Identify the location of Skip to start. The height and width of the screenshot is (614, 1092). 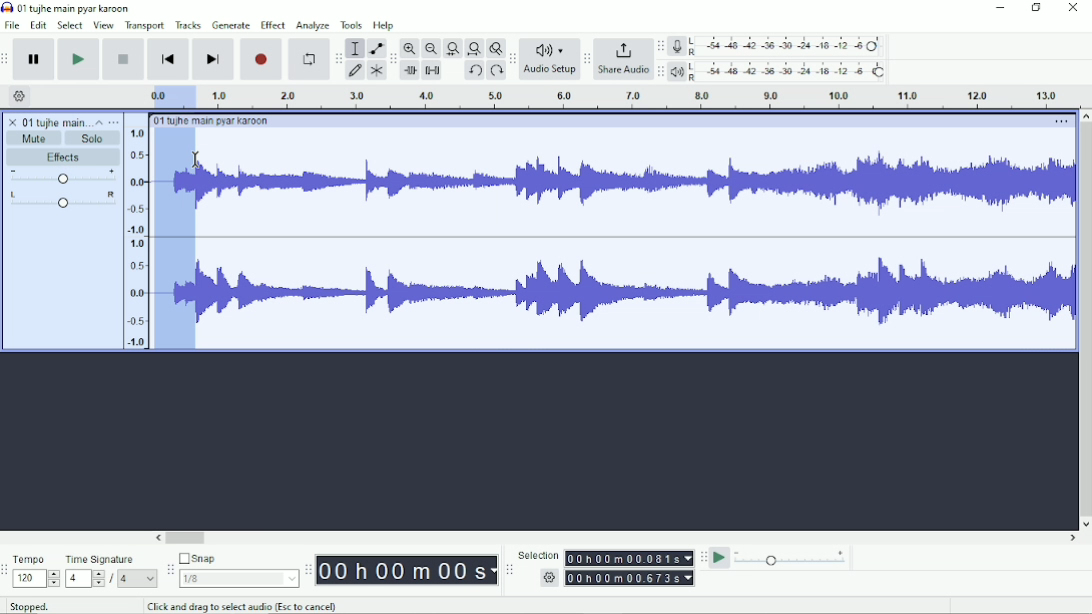
(168, 60).